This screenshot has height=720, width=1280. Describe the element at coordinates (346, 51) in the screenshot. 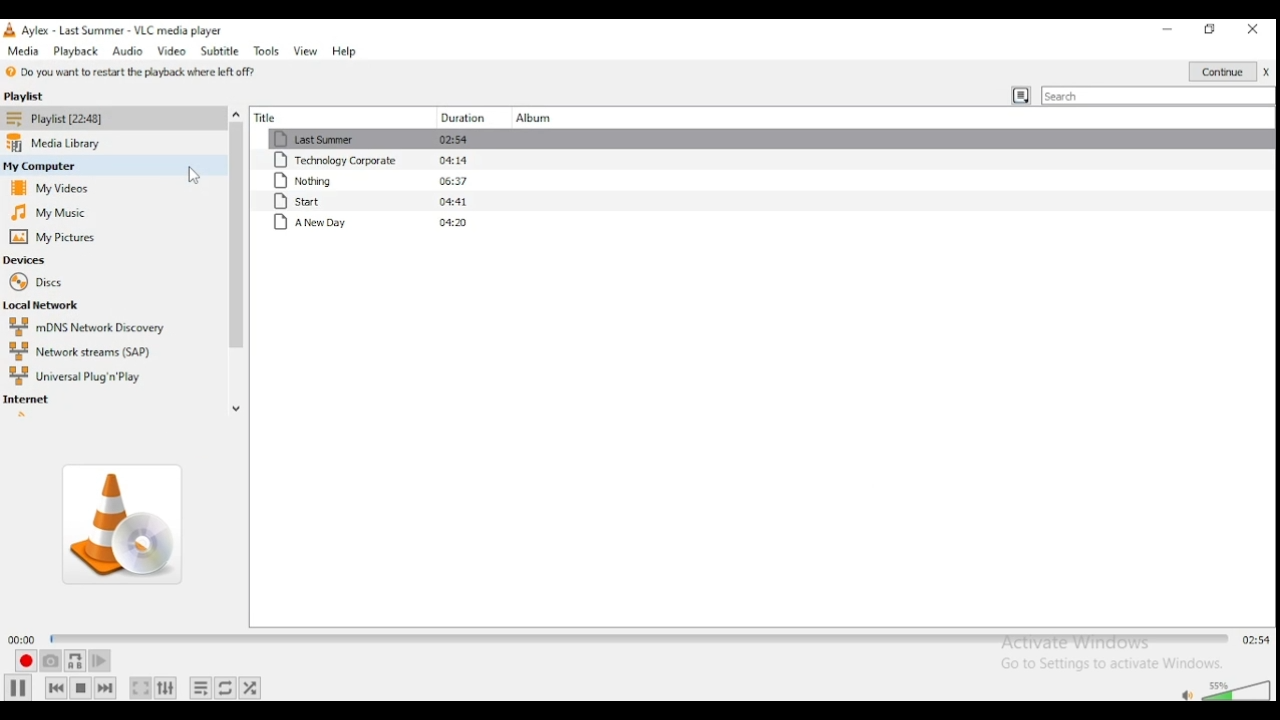

I see `help` at that location.